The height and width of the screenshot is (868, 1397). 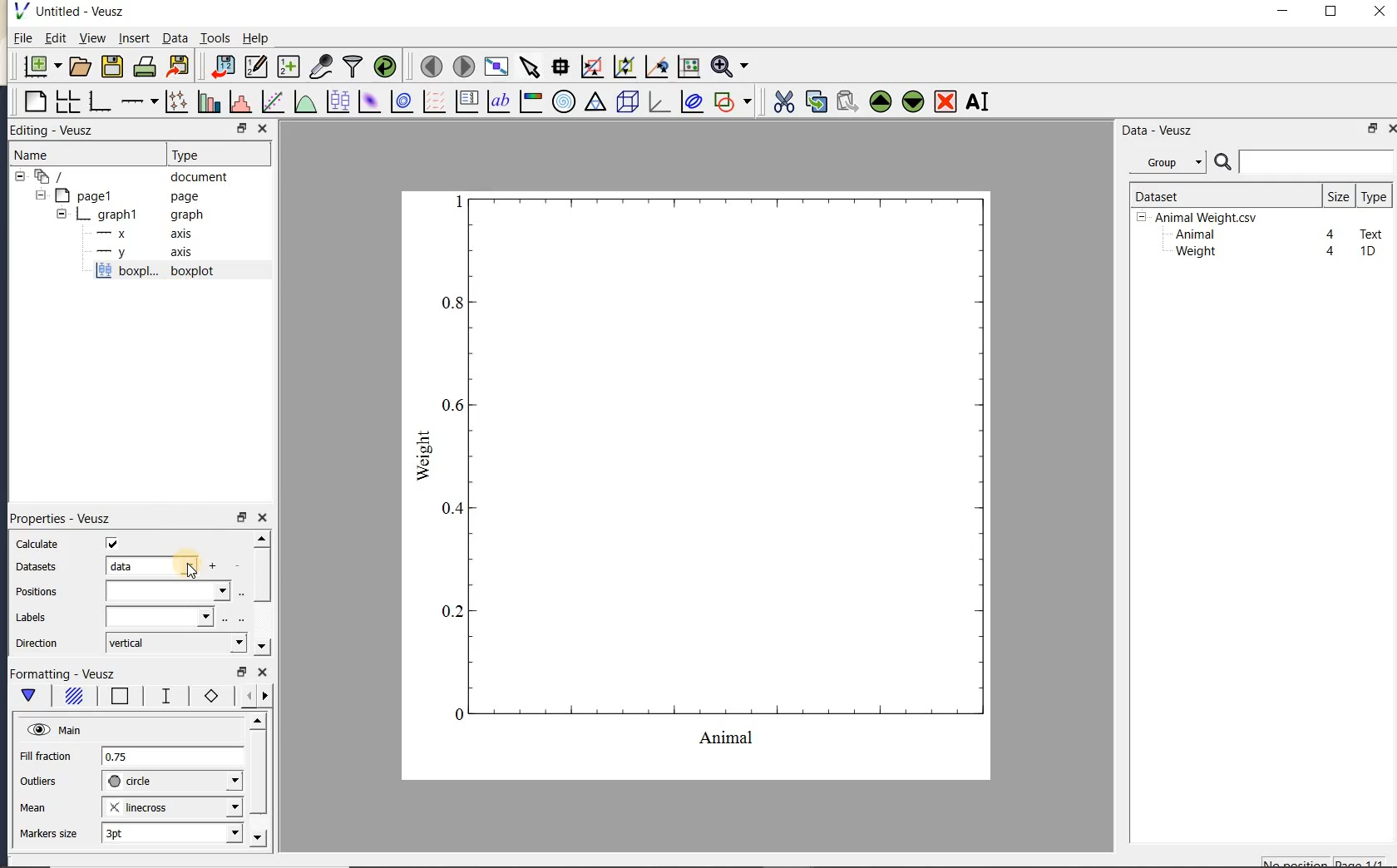 What do you see at coordinates (33, 102) in the screenshot?
I see `blank page` at bounding box center [33, 102].